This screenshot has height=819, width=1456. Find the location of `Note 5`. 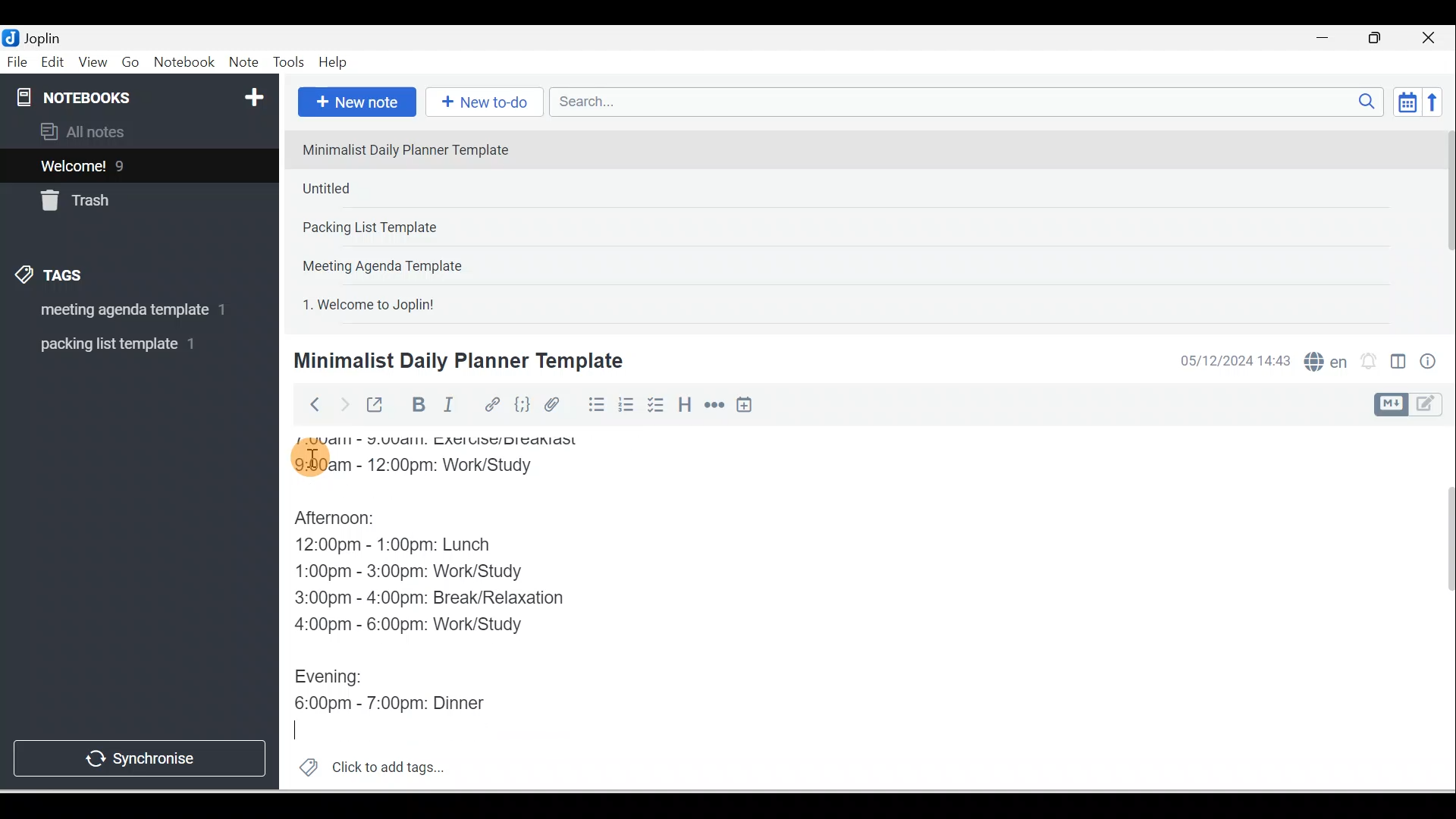

Note 5 is located at coordinates (424, 303).